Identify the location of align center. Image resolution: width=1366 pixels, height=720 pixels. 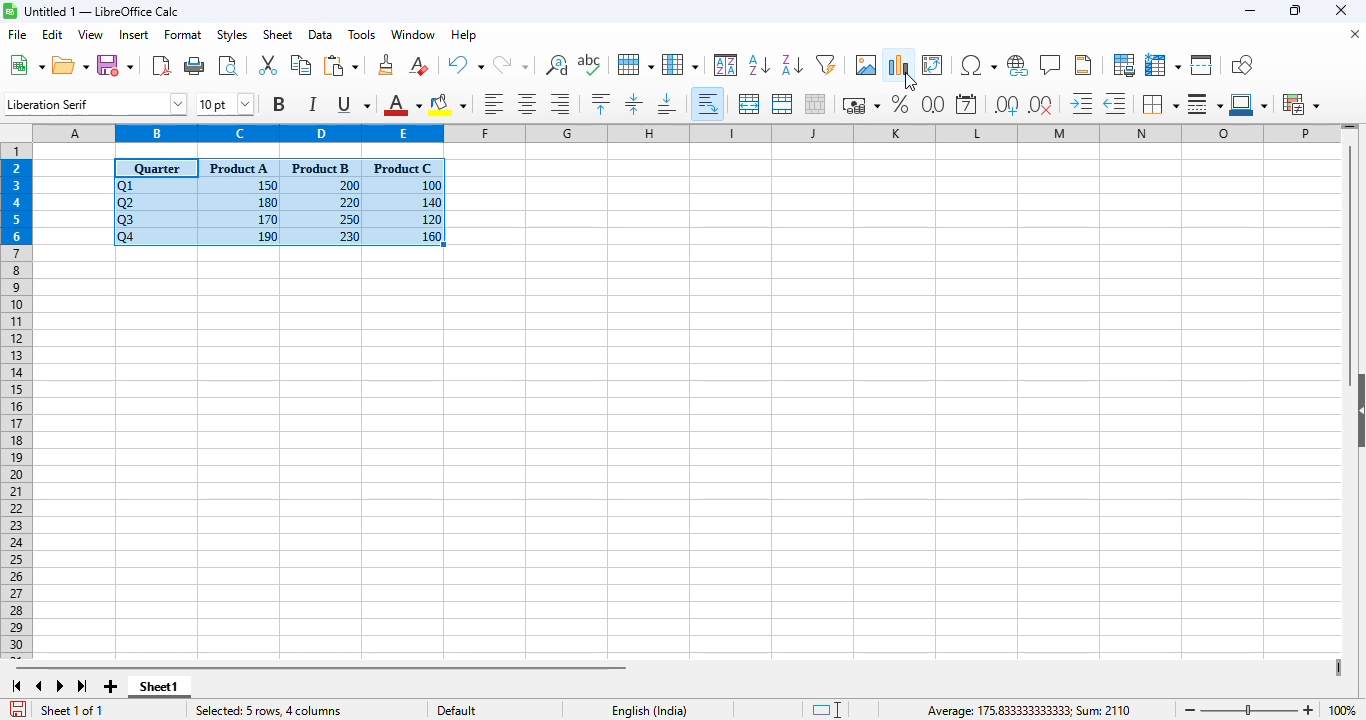
(528, 104).